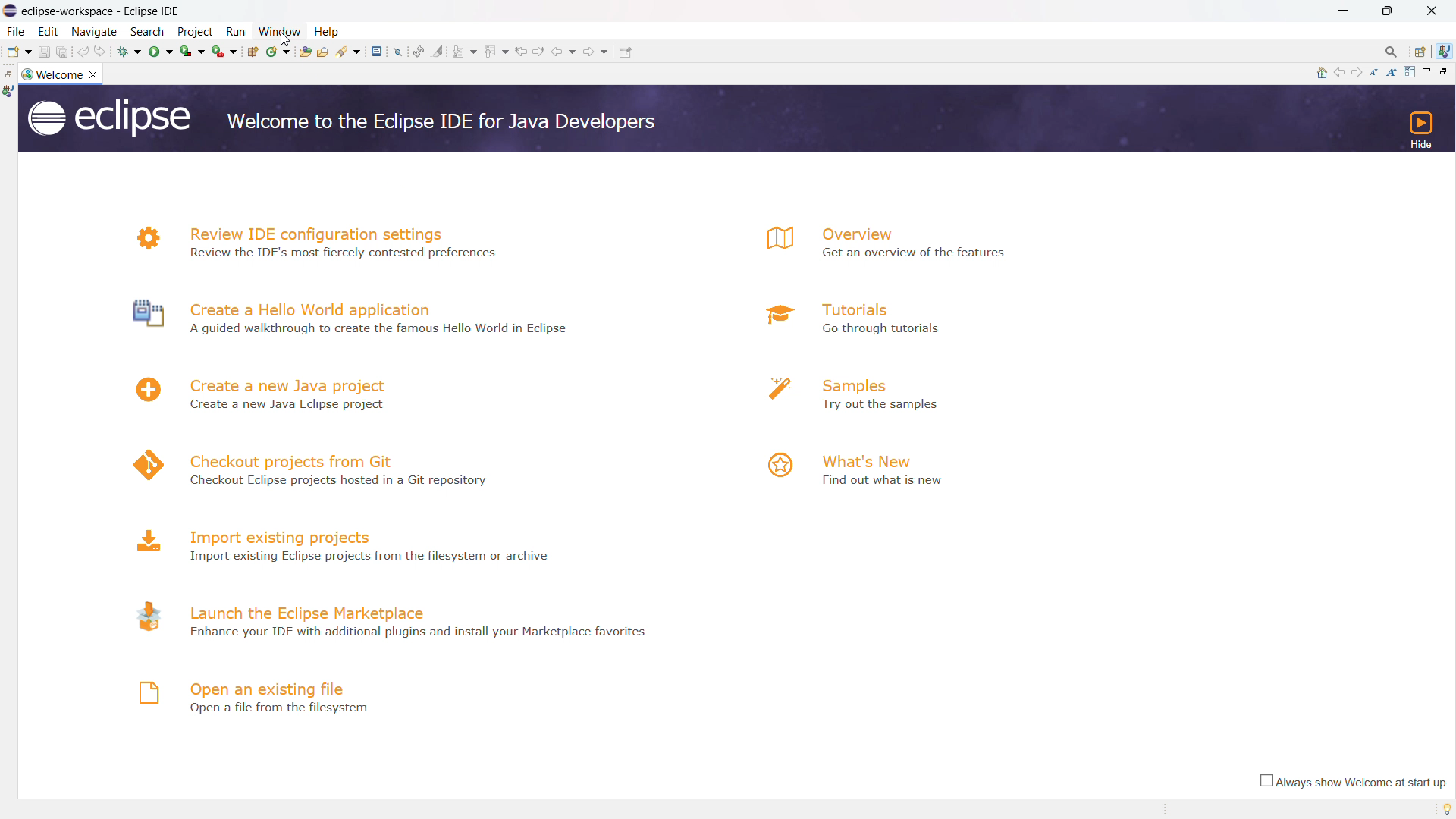 The image size is (1456, 819). What do you see at coordinates (397, 52) in the screenshot?
I see `skip all break points` at bounding box center [397, 52].